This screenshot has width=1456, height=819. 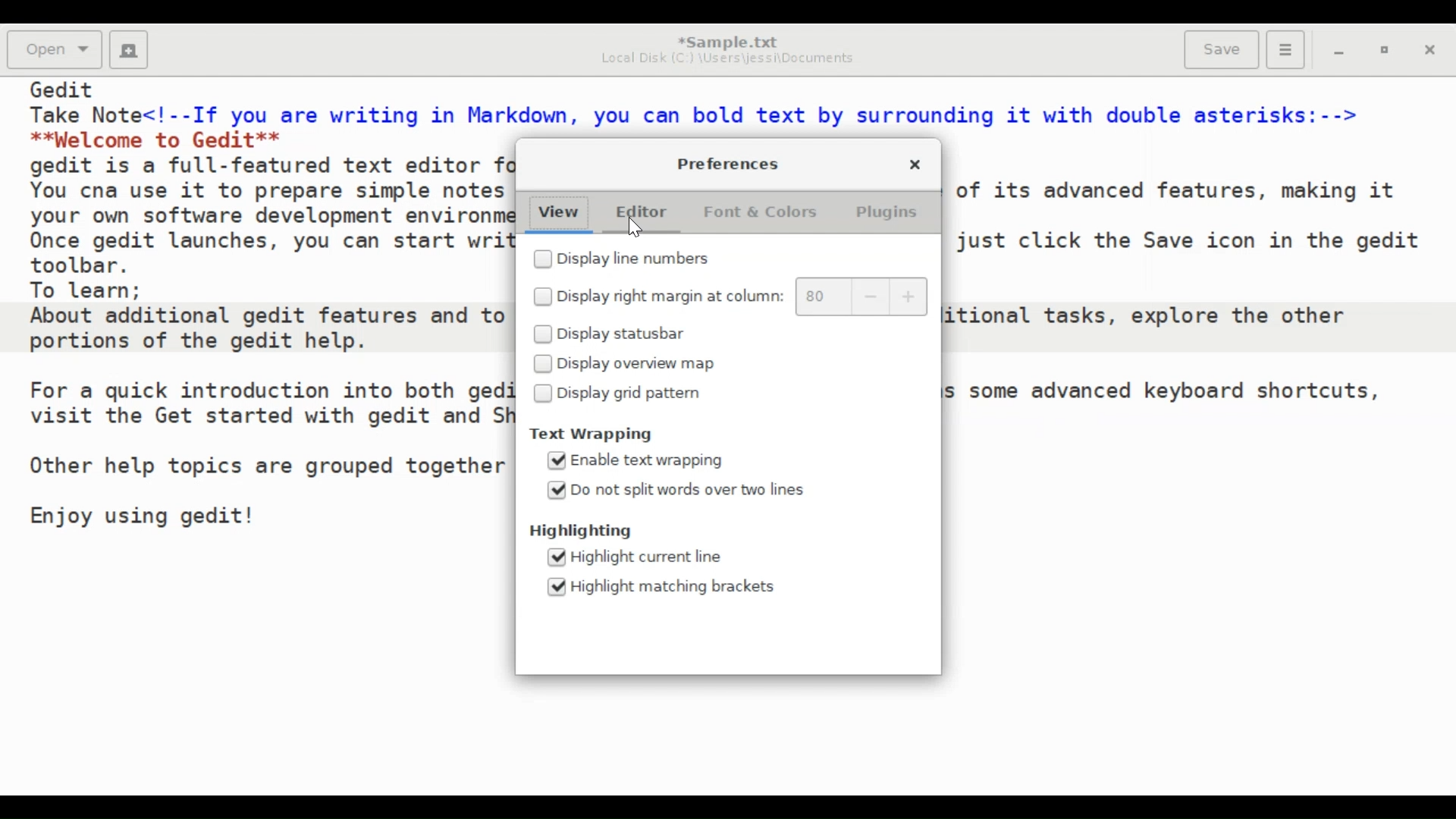 What do you see at coordinates (1339, 52) in the screenshot?
I see `minimize` at bounding box center [1339, 52].